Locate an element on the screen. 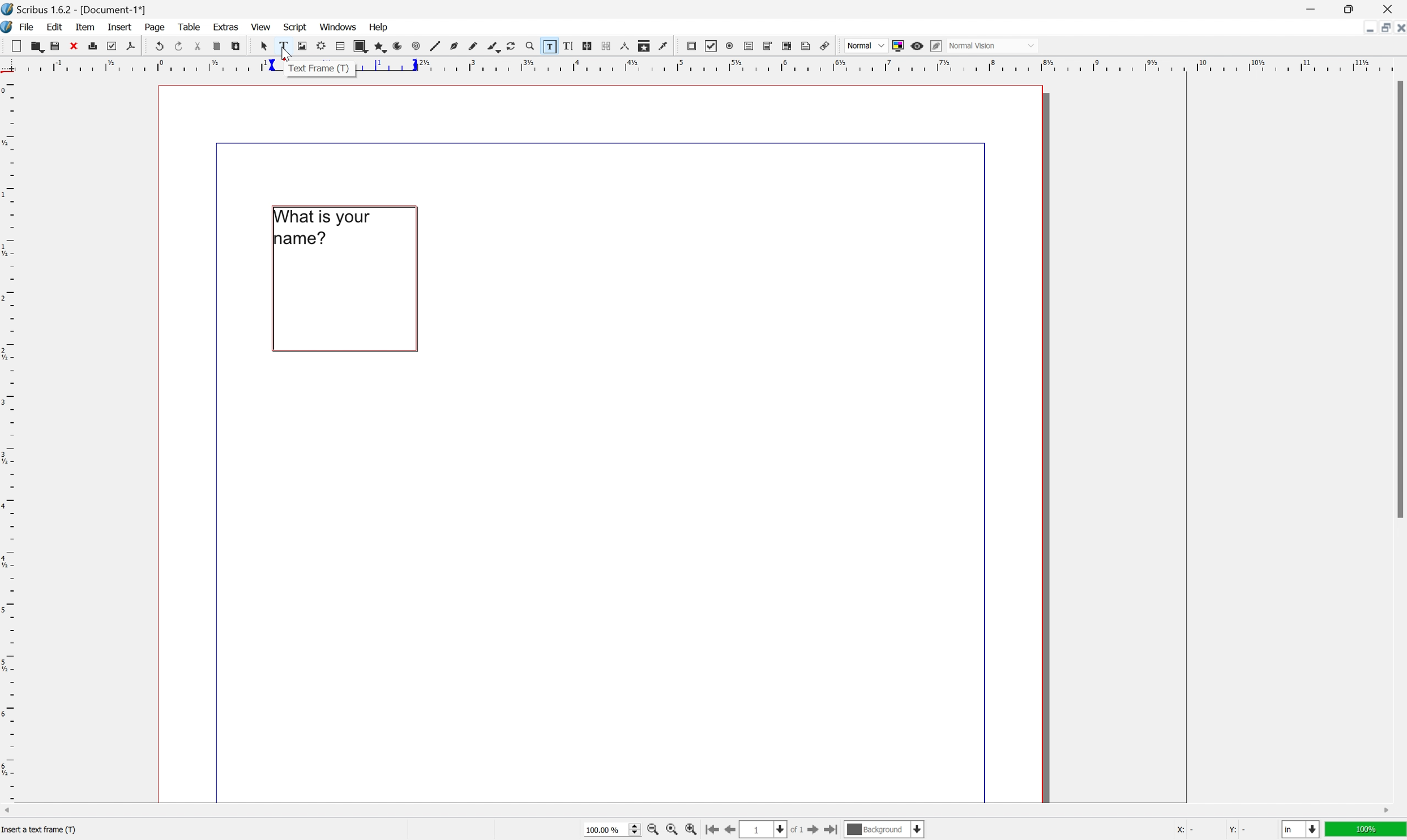  edit is located at coordinates (54, 27).